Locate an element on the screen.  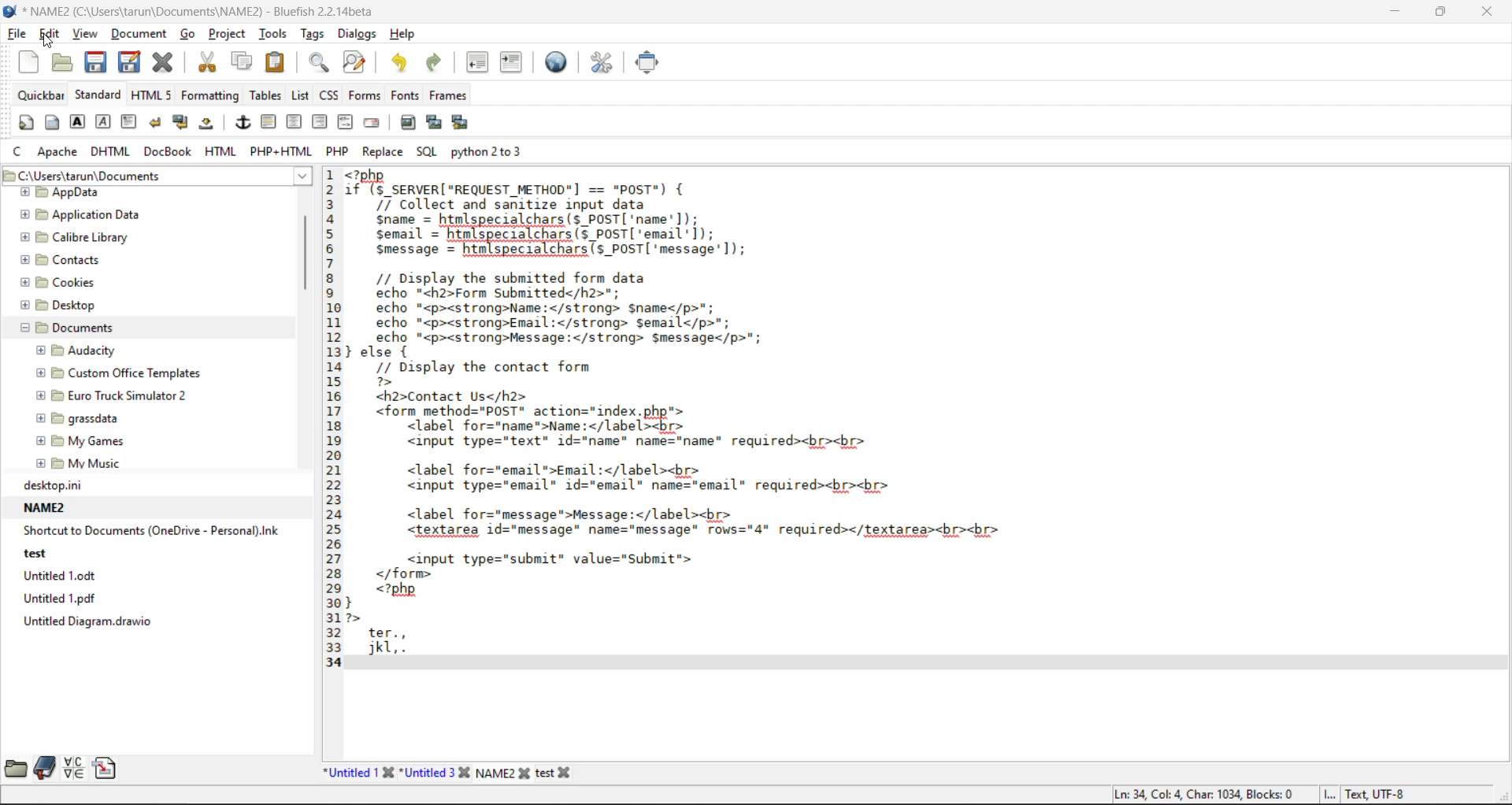
center is located at coordinates (292, 121).